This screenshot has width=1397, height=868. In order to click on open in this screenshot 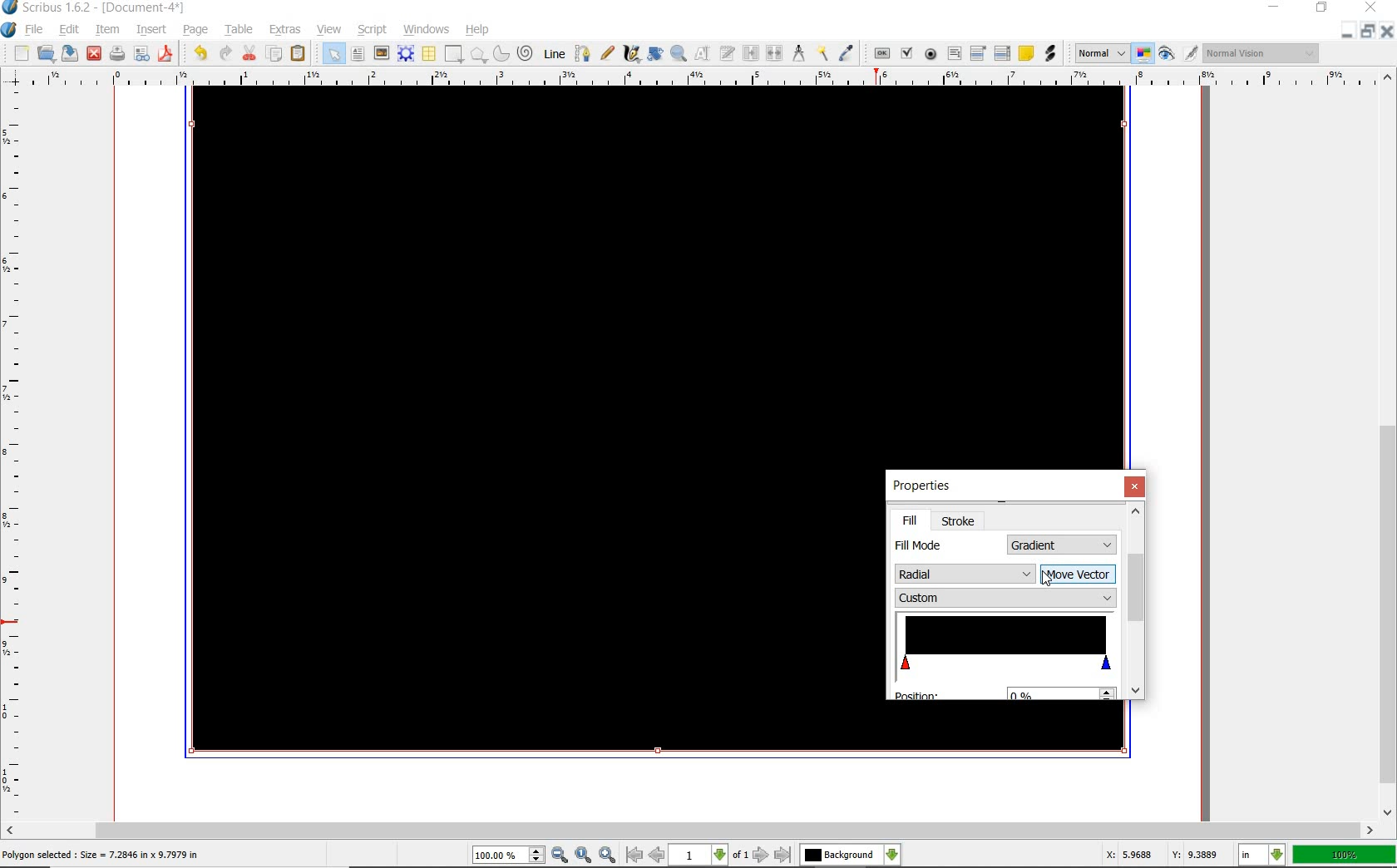, I will do `click(47, 54)`.